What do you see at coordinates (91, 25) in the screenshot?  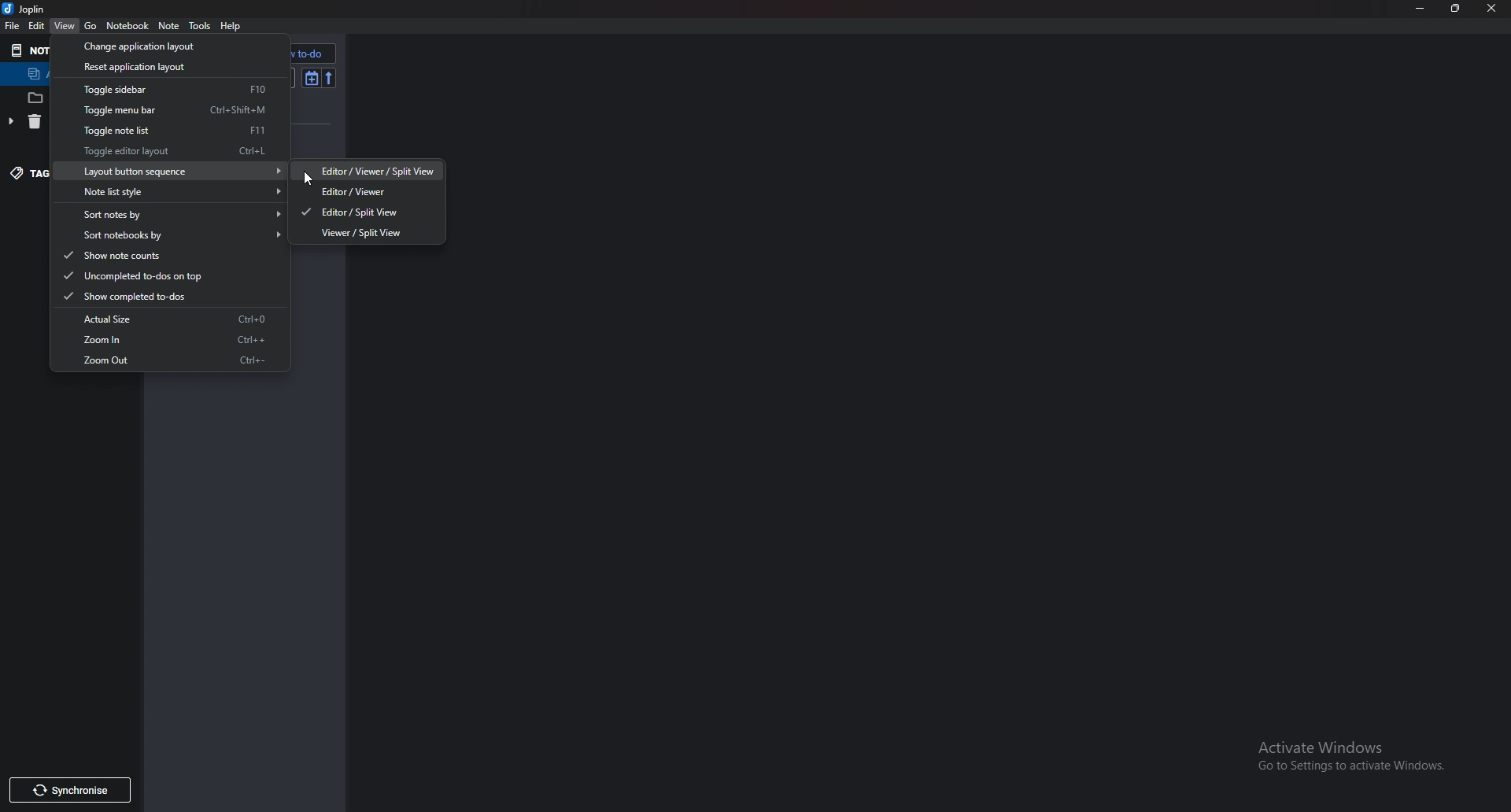 I see `go` at bounding box center [91, 25].